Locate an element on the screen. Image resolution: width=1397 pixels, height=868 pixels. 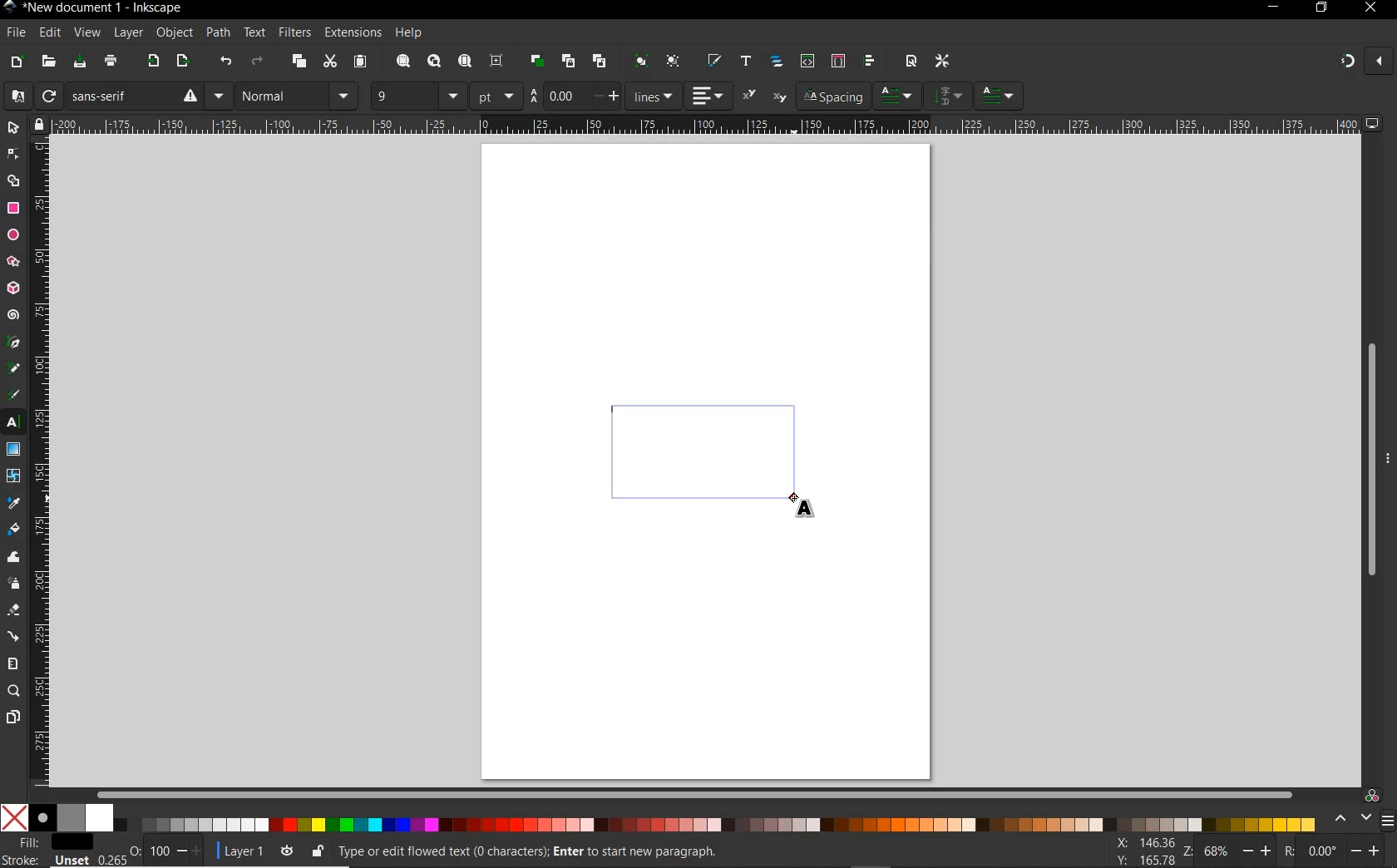
100 is located at coordinates (158, 851).